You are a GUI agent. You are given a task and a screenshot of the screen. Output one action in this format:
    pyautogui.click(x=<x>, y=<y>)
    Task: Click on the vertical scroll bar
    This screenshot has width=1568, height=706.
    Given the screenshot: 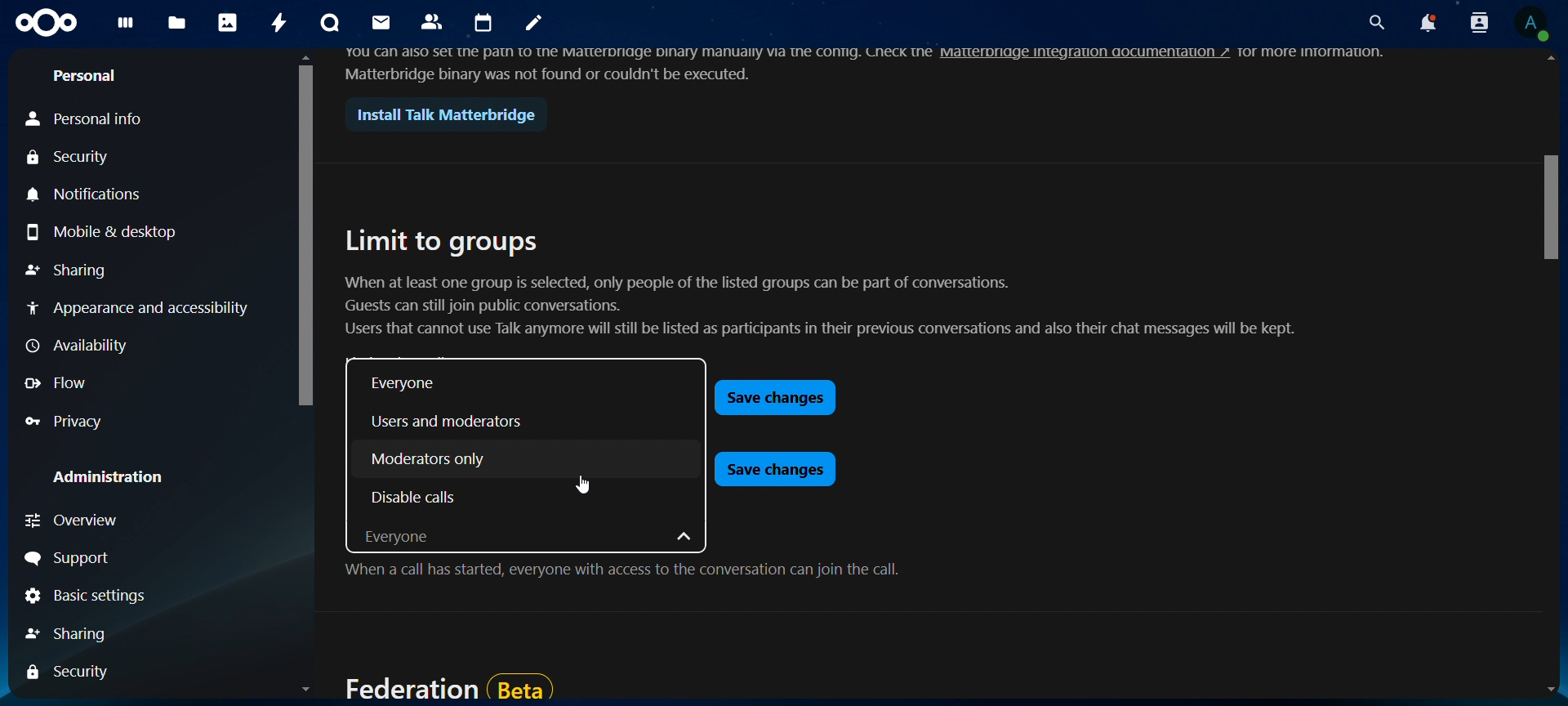 What is the action you would take?
    pyautogui.click(x=303, y=235)
    